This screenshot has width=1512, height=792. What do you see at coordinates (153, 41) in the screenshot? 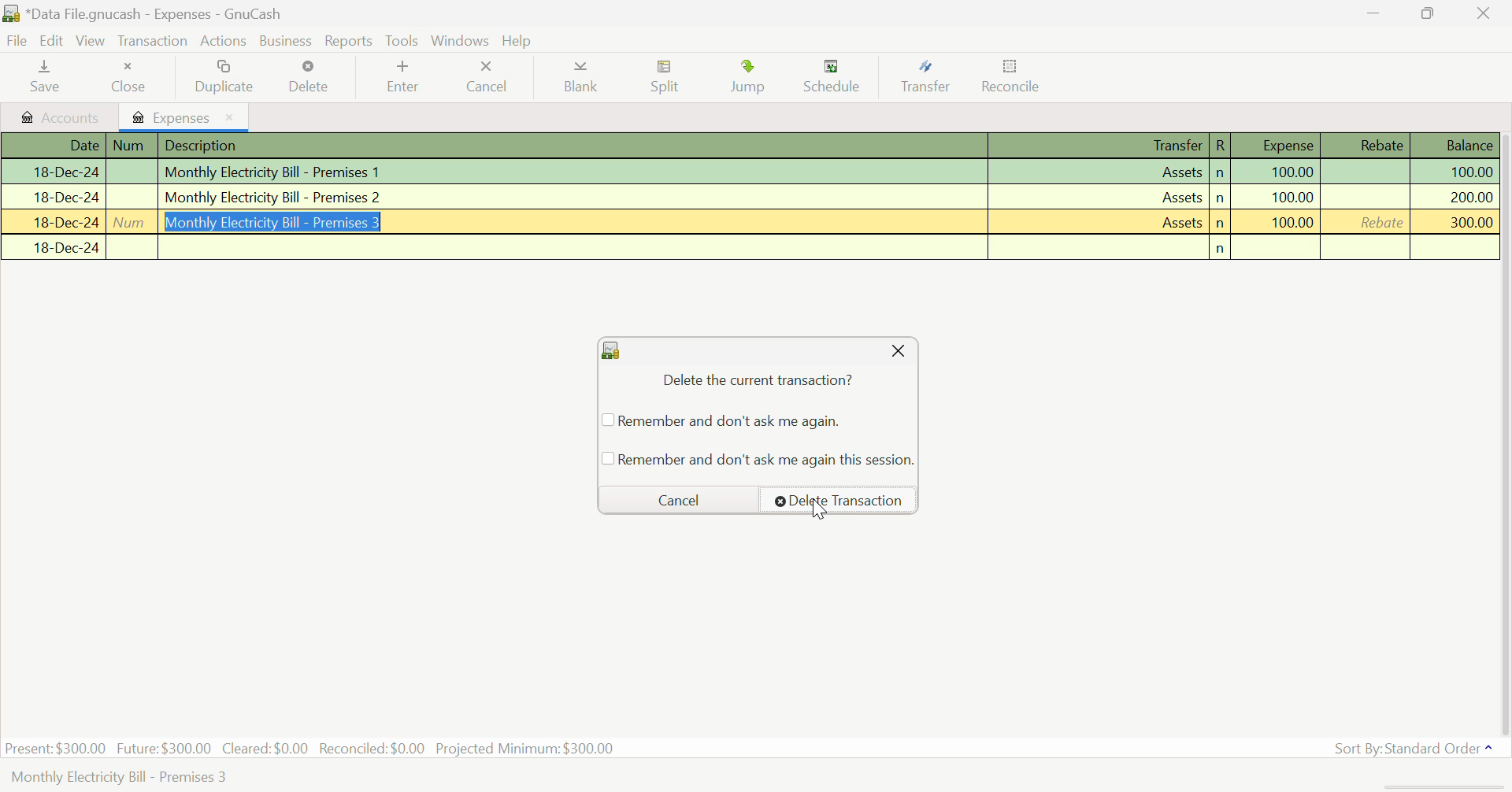
I see `Transaction` at bounding box center [153, 41].